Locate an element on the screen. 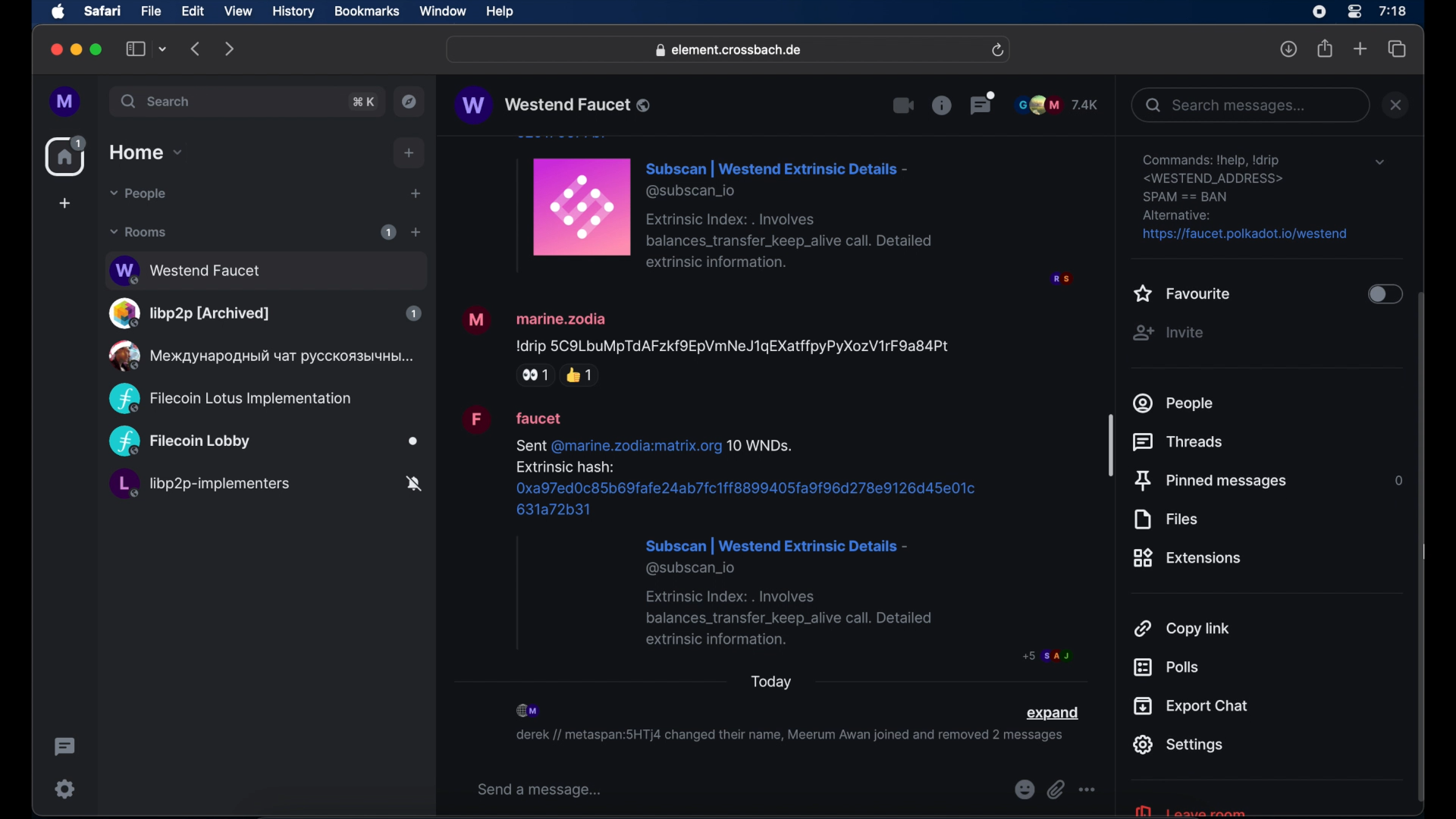  video call is located at coordinates (904, 106).